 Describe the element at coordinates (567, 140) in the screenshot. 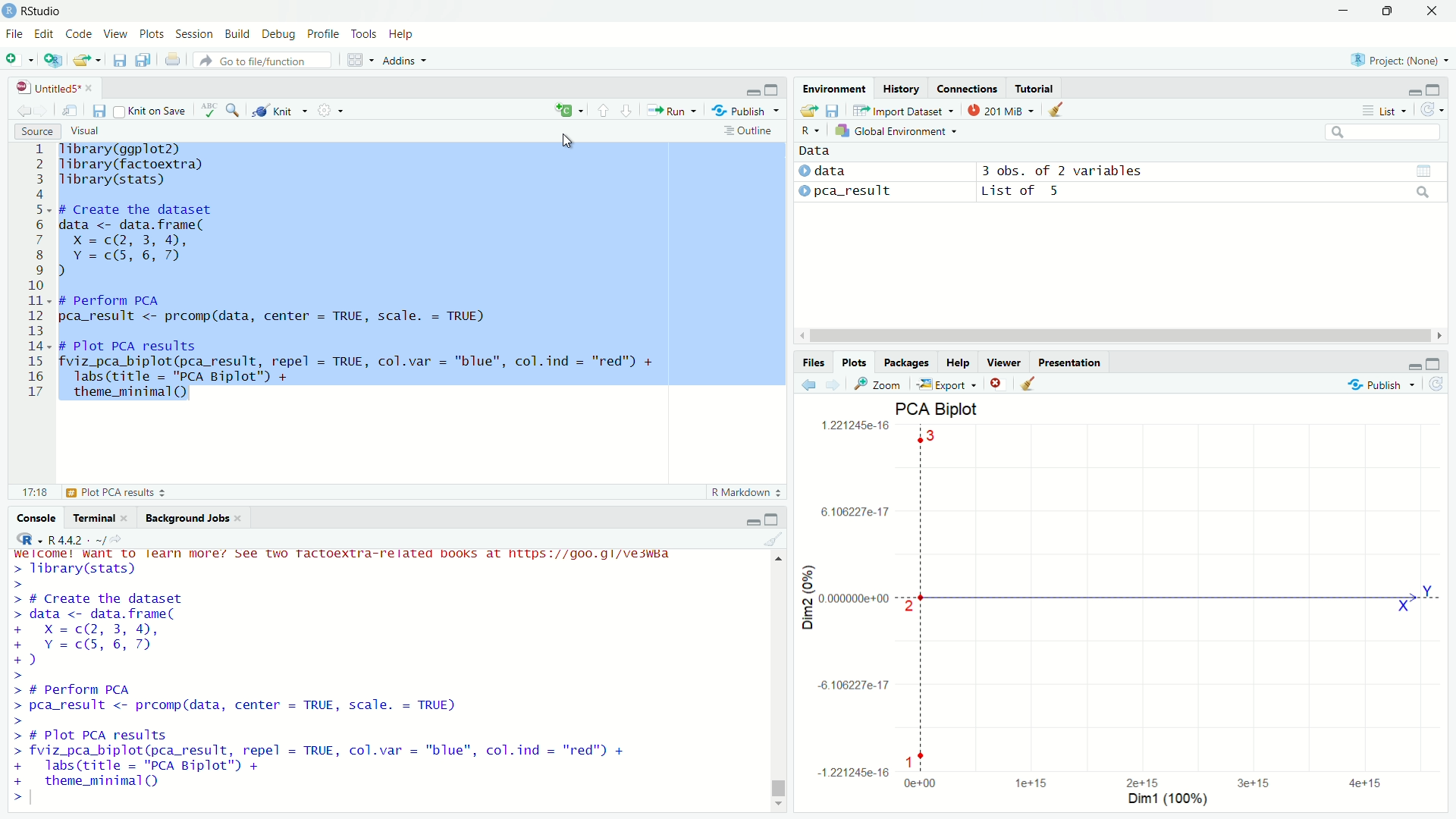

I see `cursor` at that location.